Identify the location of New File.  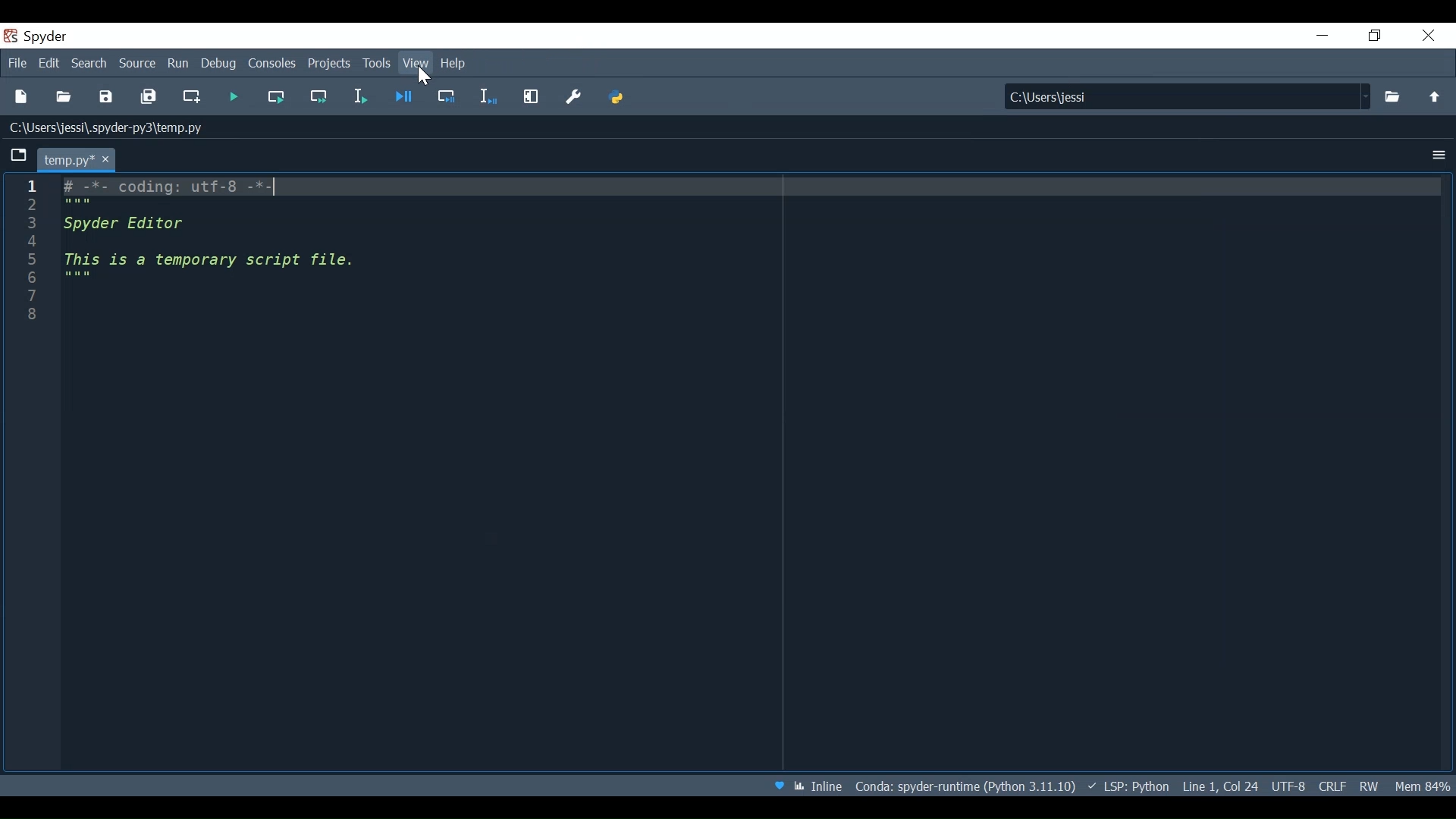
(21, 97).